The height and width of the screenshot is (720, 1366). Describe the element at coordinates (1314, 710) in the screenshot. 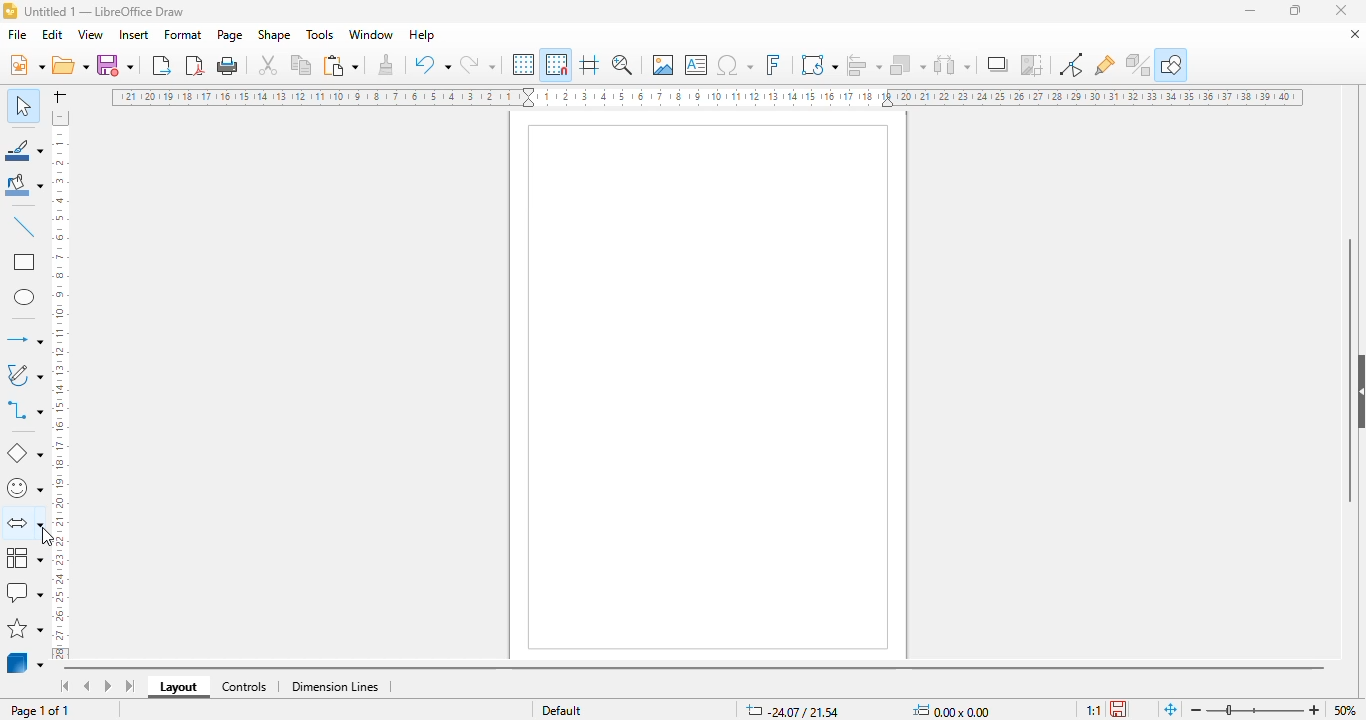

I see `zoom in` at that location.